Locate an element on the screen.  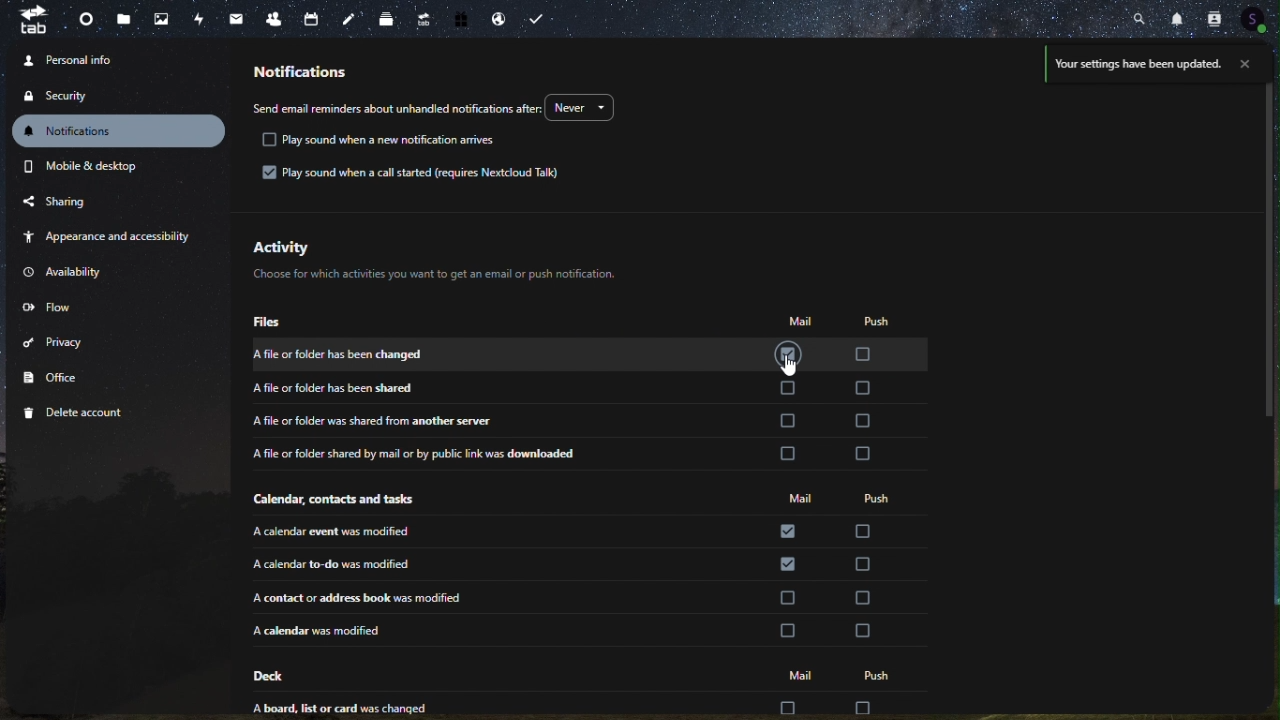
Play sound when a call started (requireds Nextcloud Talk) is located at coordinates (428, 173).